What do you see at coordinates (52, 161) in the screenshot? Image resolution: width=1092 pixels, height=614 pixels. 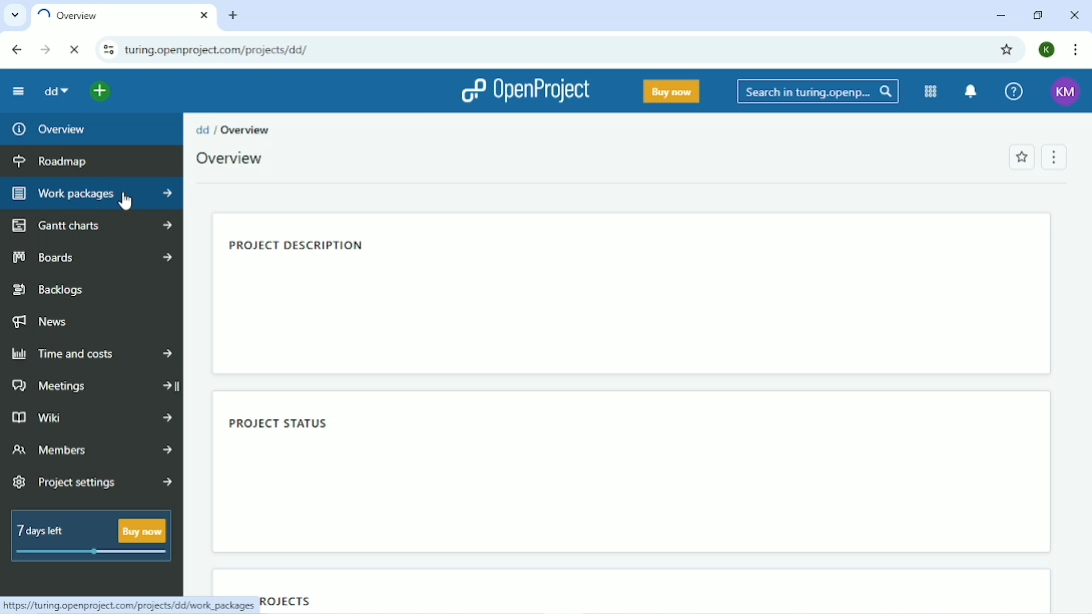 I see `Roadmap` at bounding box center [52, 161].